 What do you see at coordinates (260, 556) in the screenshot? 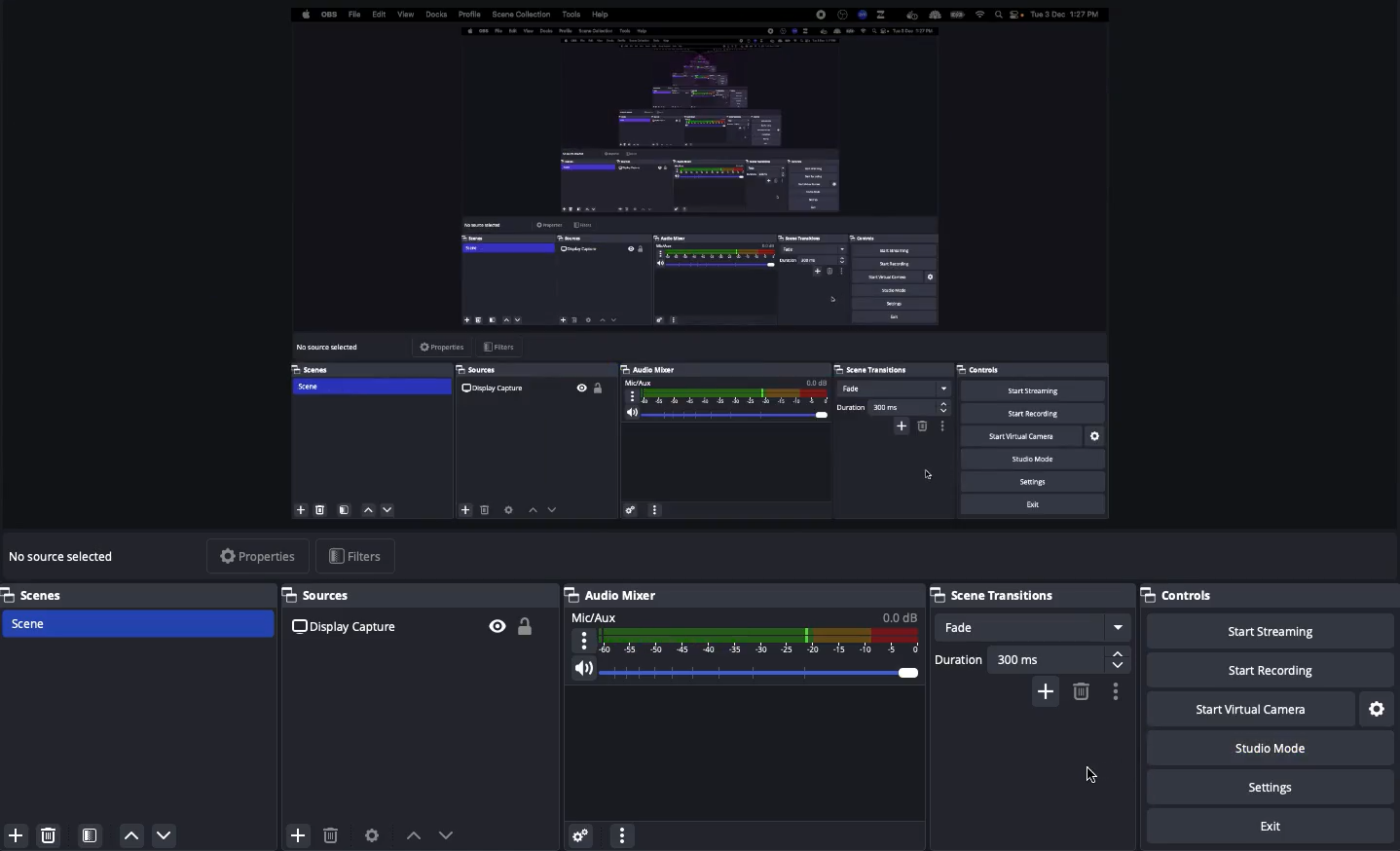
I see `Properties` at bounding box center [260, 556].